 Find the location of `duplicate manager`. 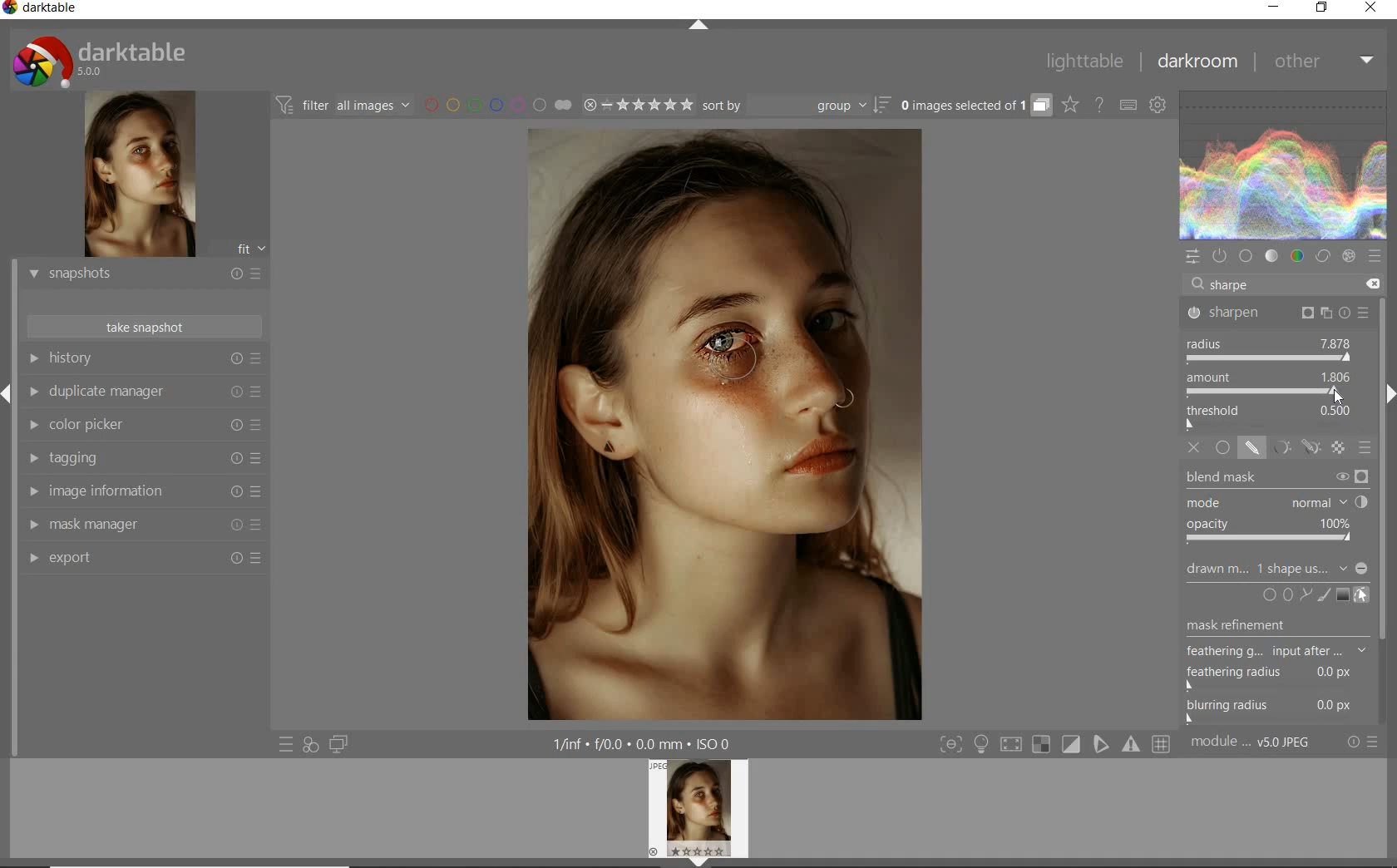

duplicate manager is located at coordinates (144, 394).